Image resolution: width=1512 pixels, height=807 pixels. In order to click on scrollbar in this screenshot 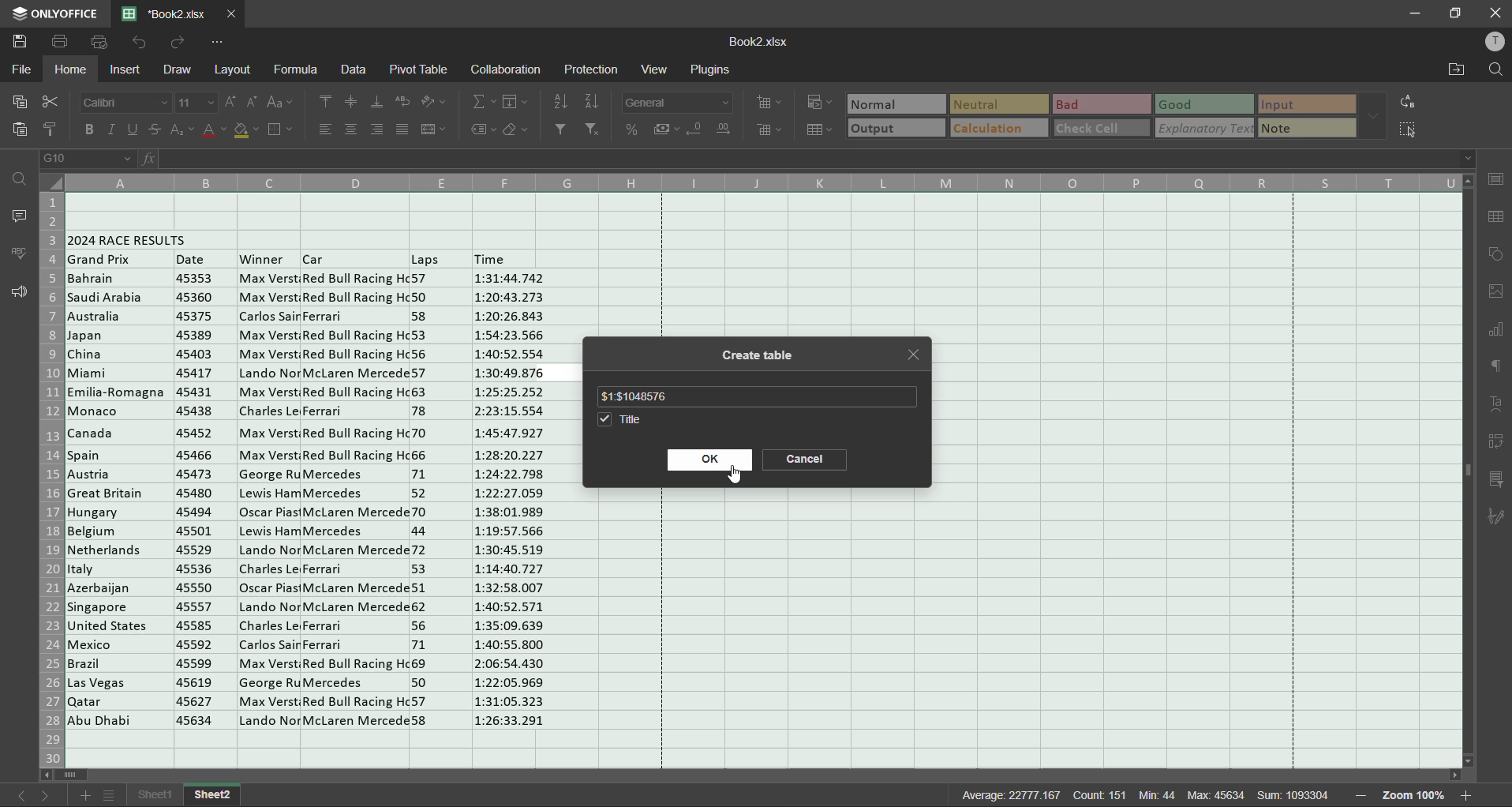, I will do `click(767, 775)`.